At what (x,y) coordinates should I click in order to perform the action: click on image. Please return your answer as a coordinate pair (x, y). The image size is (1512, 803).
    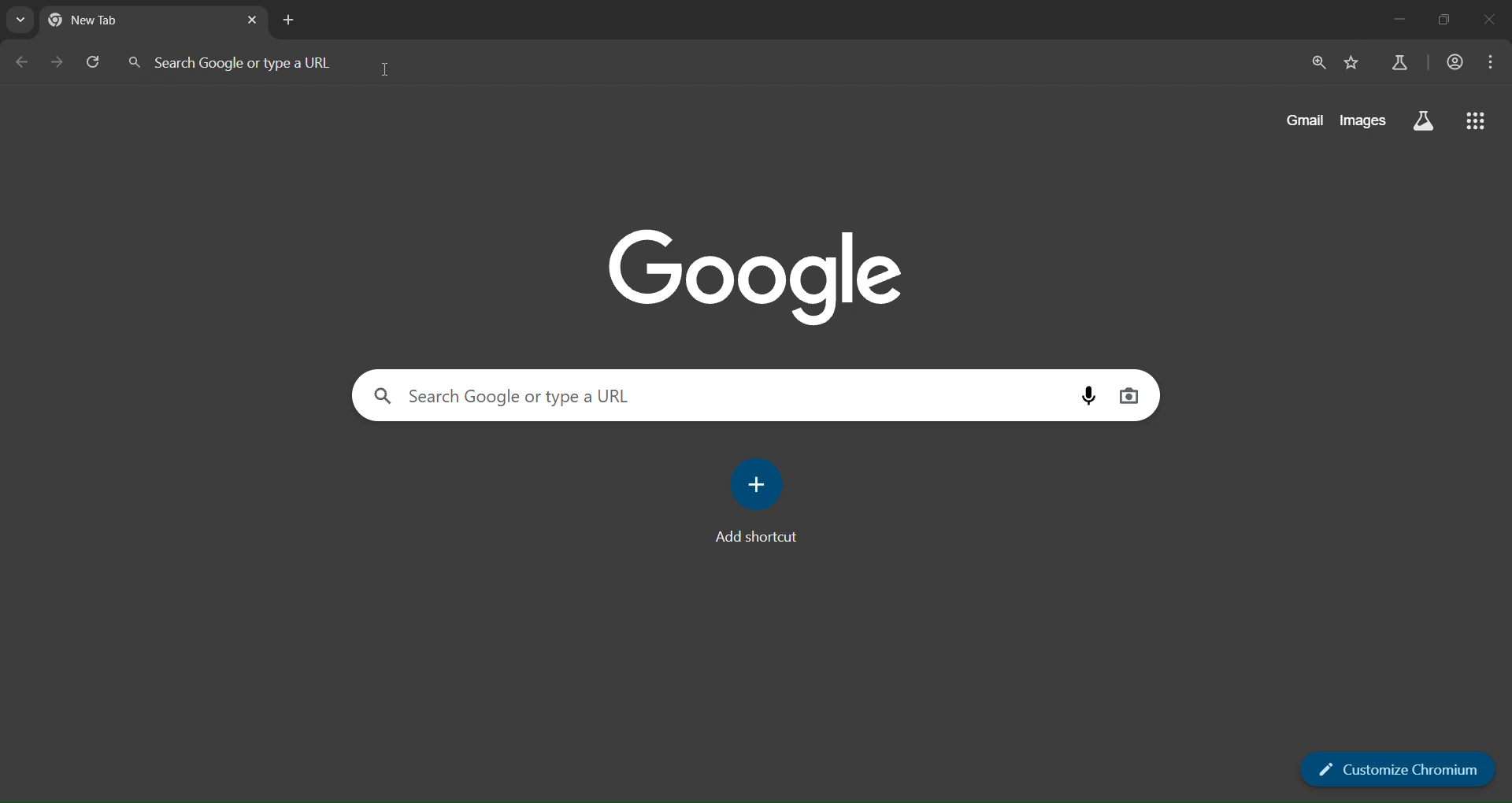
    Looking at the image, I should click on (759, 276).